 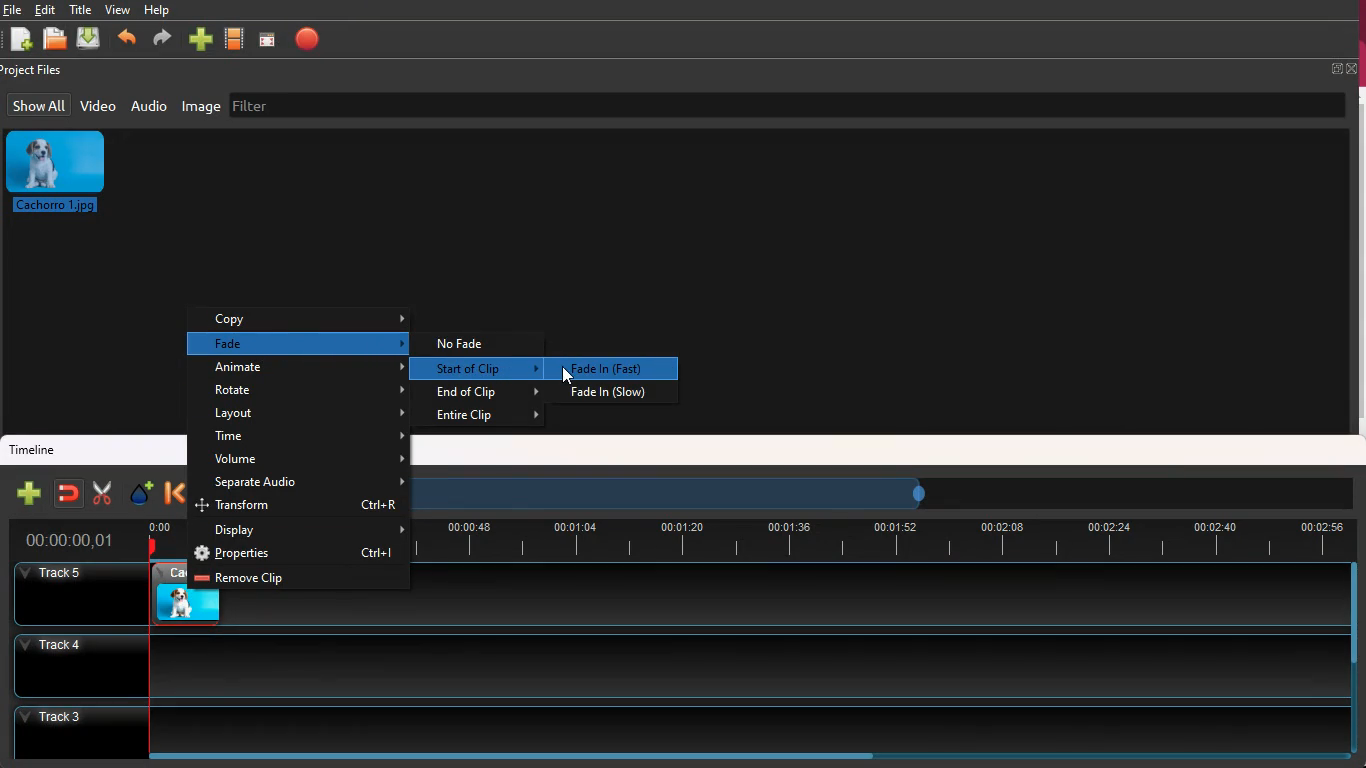 I want to click on rotate, so click(x=309, y=392).